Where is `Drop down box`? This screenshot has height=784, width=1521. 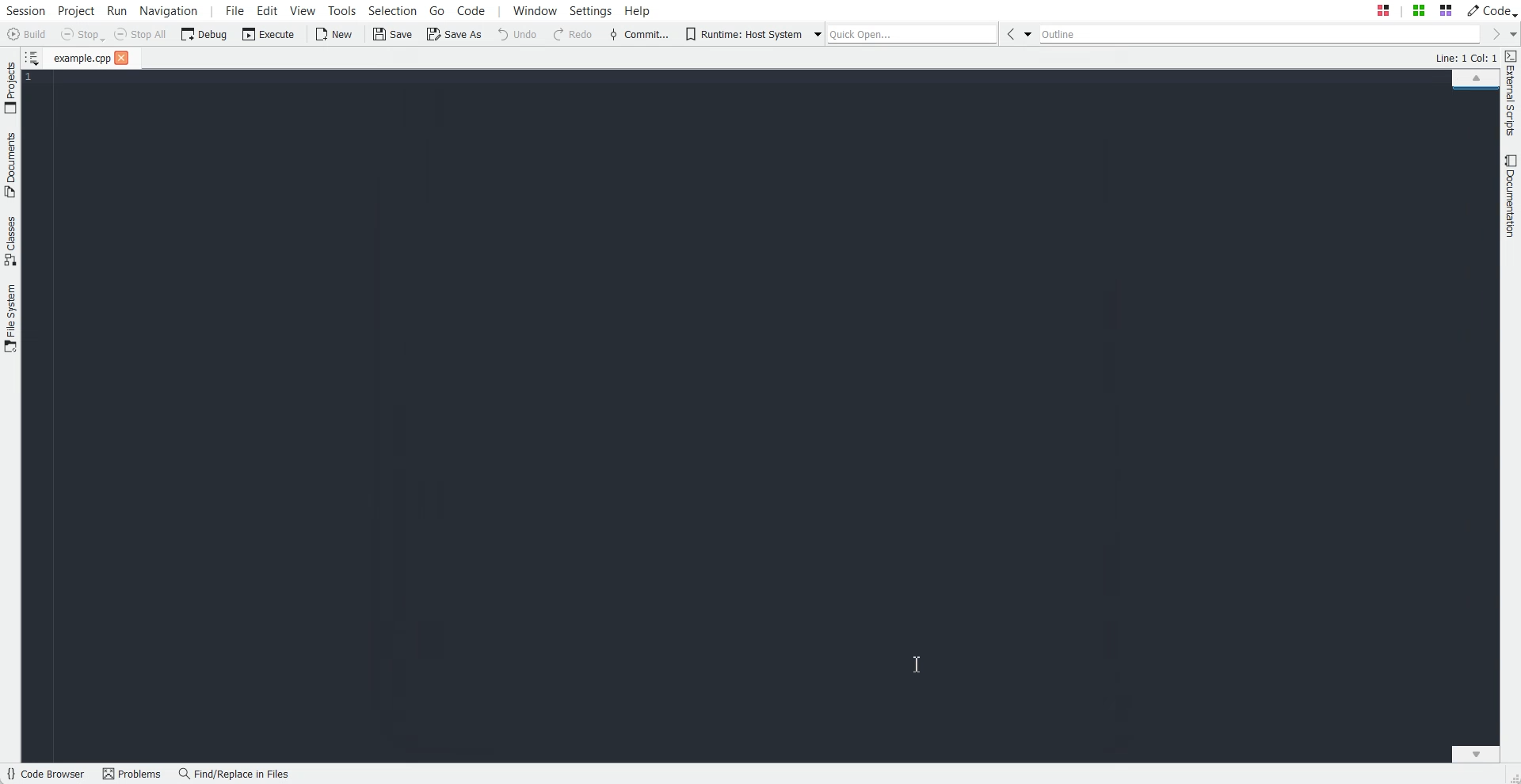 Drop down box is located at coordinates (814, 33).